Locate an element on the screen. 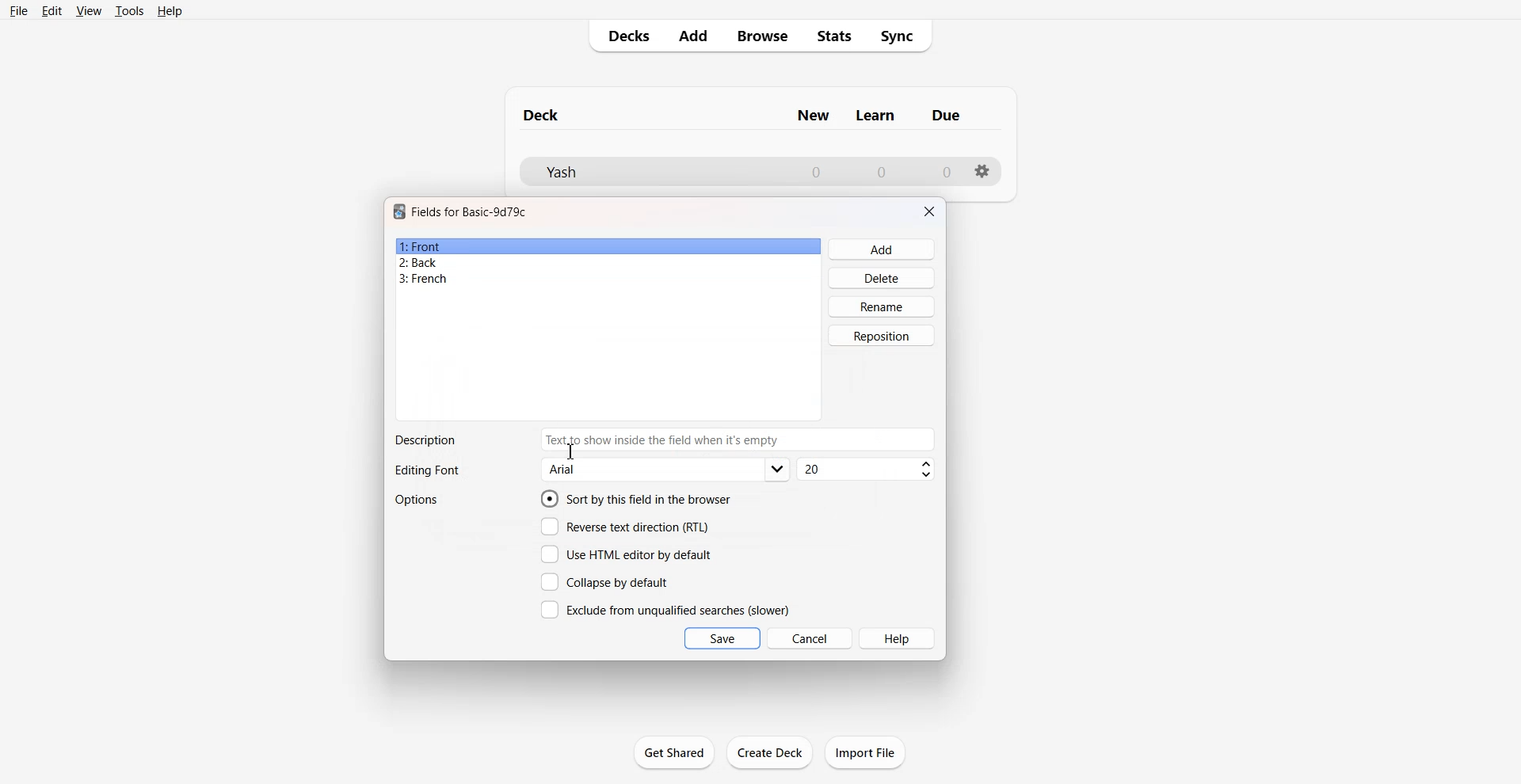 The height and width of the screenshot is (784, 1521). Tools is located at coordinates (129, 10).